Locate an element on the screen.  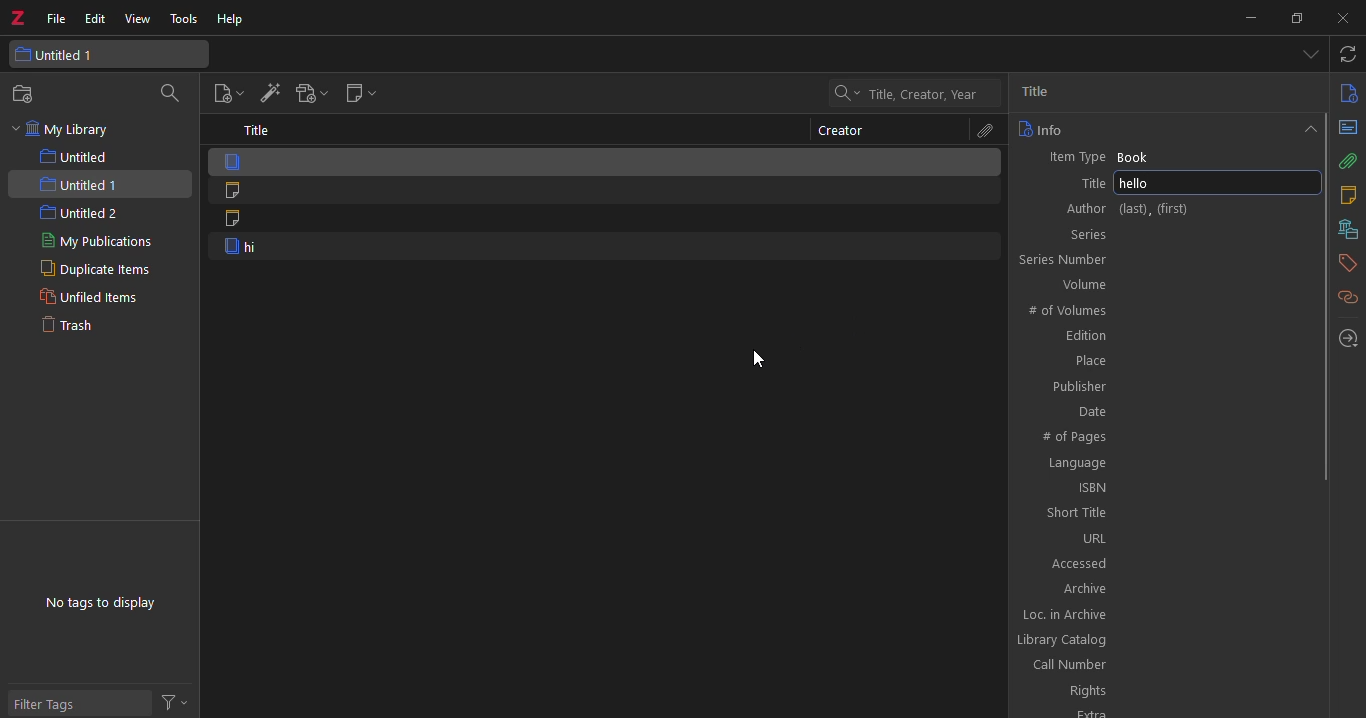
attach is located at coordinates (982, 131).